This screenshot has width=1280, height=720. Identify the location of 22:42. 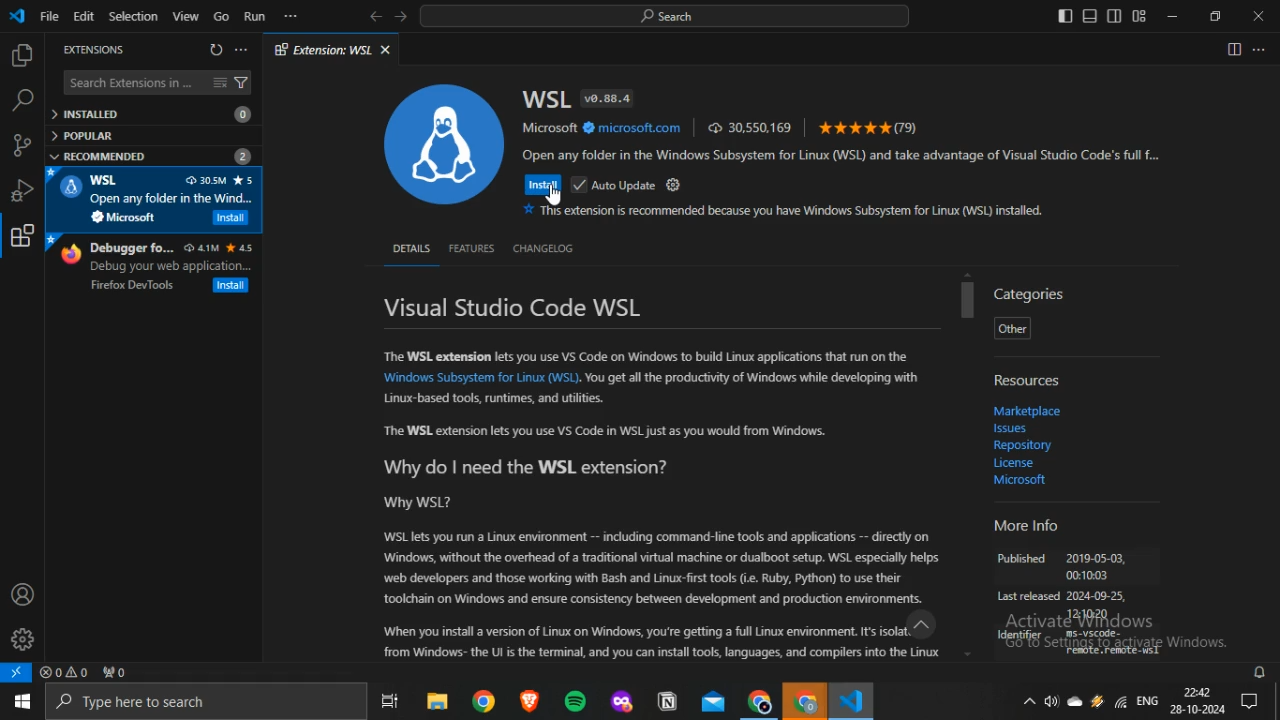
(1196, 690).